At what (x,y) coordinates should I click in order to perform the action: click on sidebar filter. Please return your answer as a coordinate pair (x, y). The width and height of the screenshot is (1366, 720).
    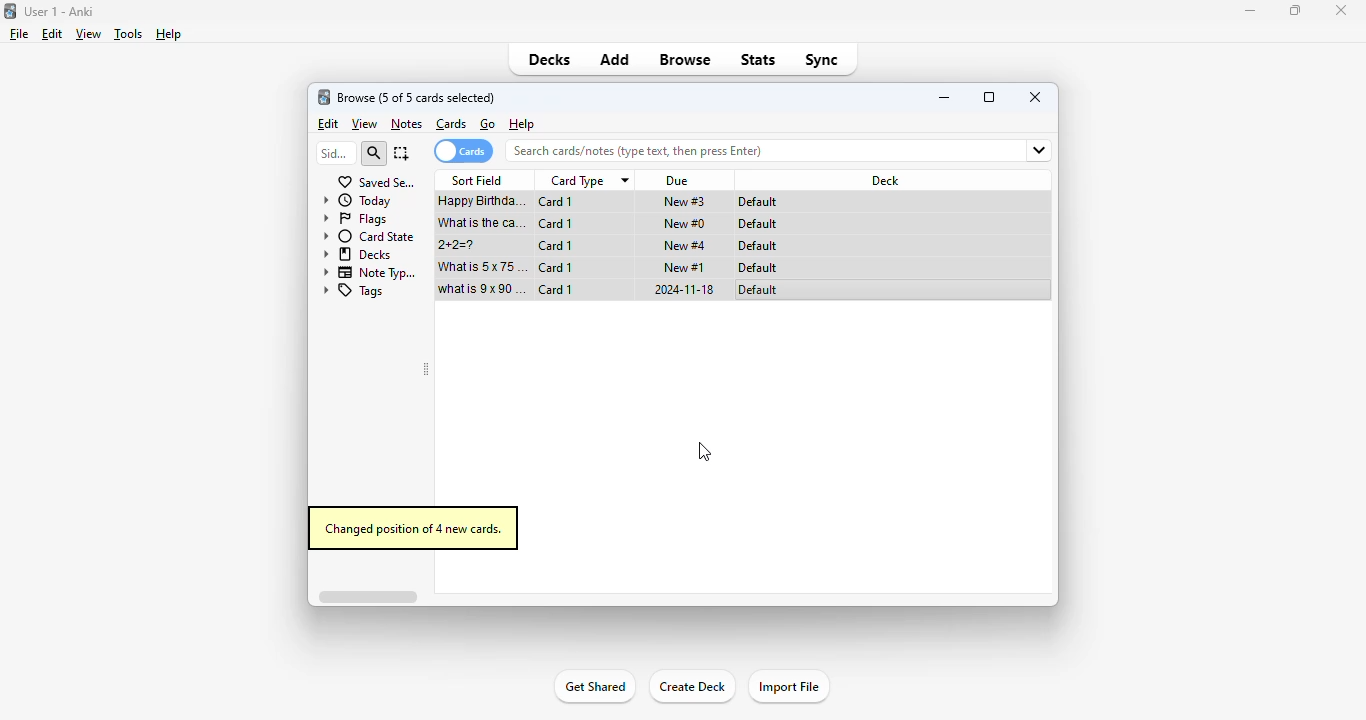
    Looking at the image, I should click on (335, 153).